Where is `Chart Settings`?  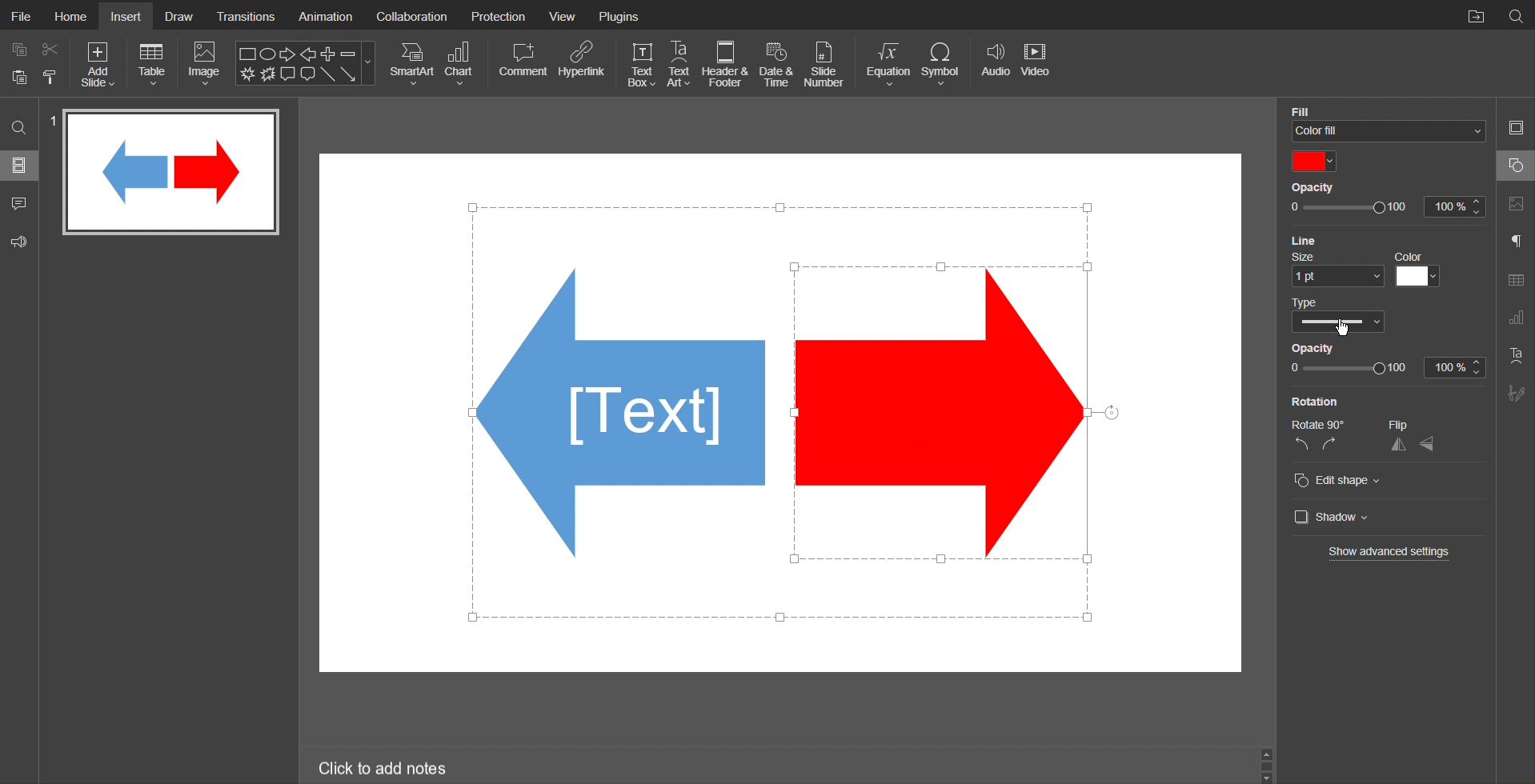
Chart Settings is located at coordinates (1516, 319).